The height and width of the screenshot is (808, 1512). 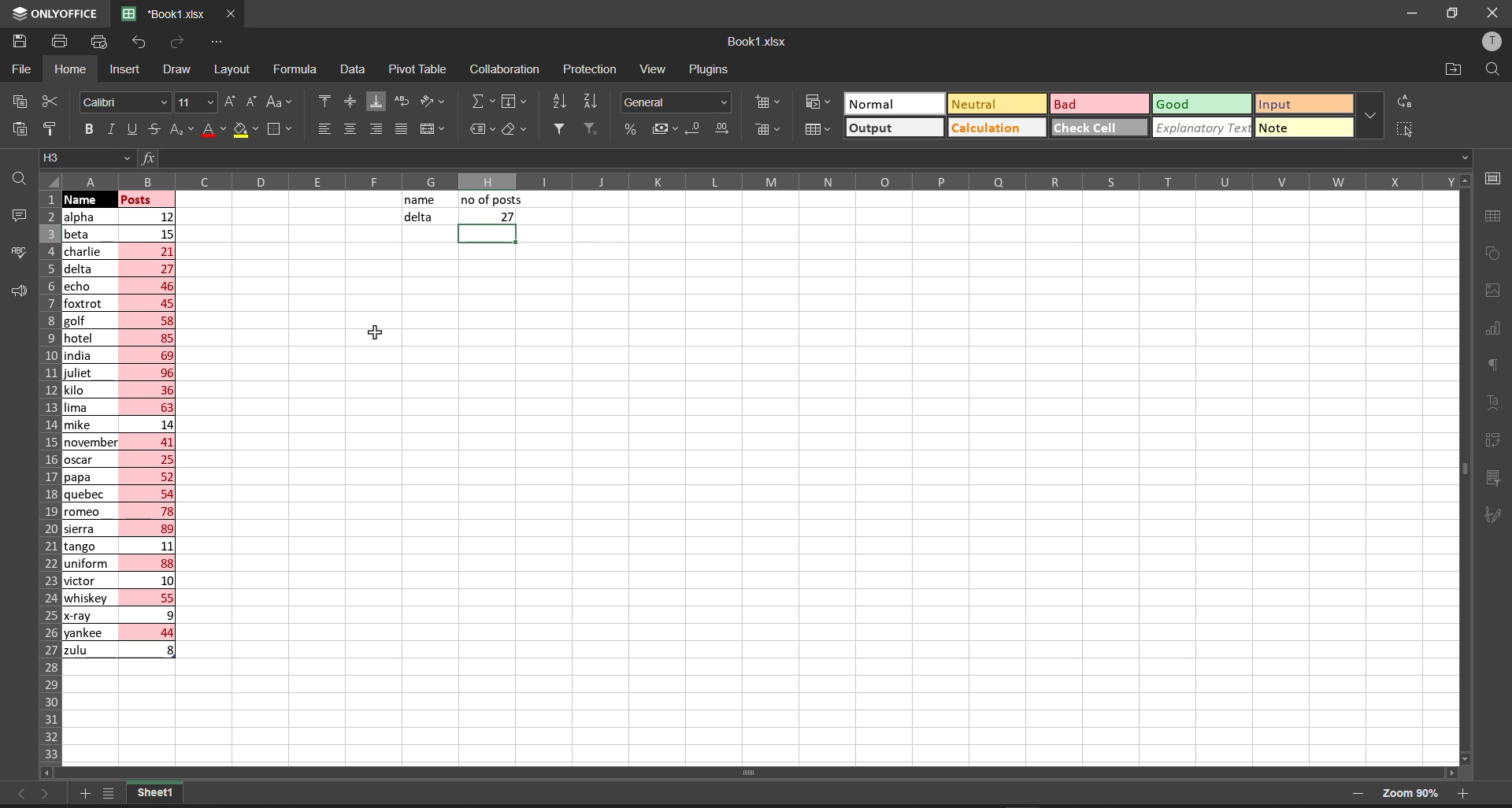 What do you see at coordinates (180, 127) in the screenshot?
I see `subscript\superscript` at bounding box center [180, 127].